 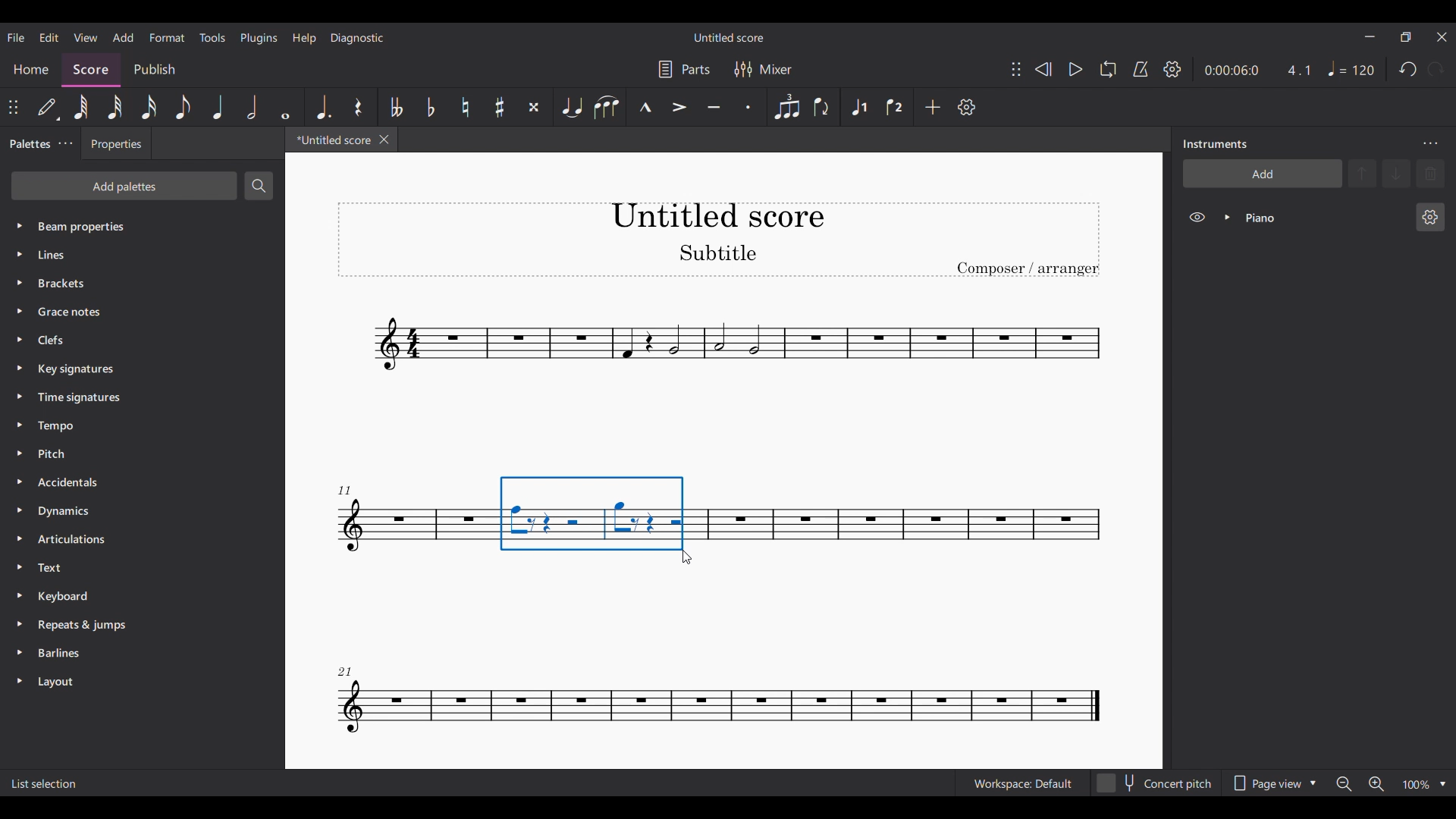 I want to click on Help menu, so click(x=304, y=39).